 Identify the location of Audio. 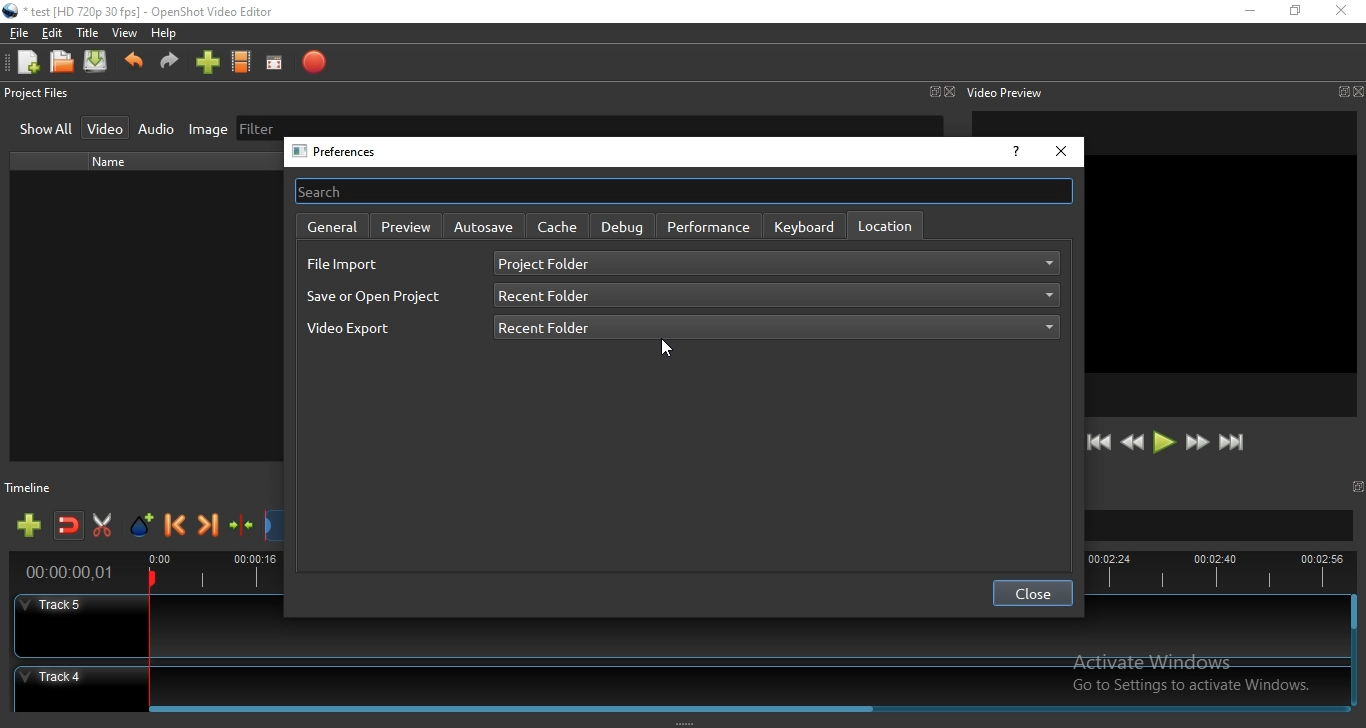
(157, 129).